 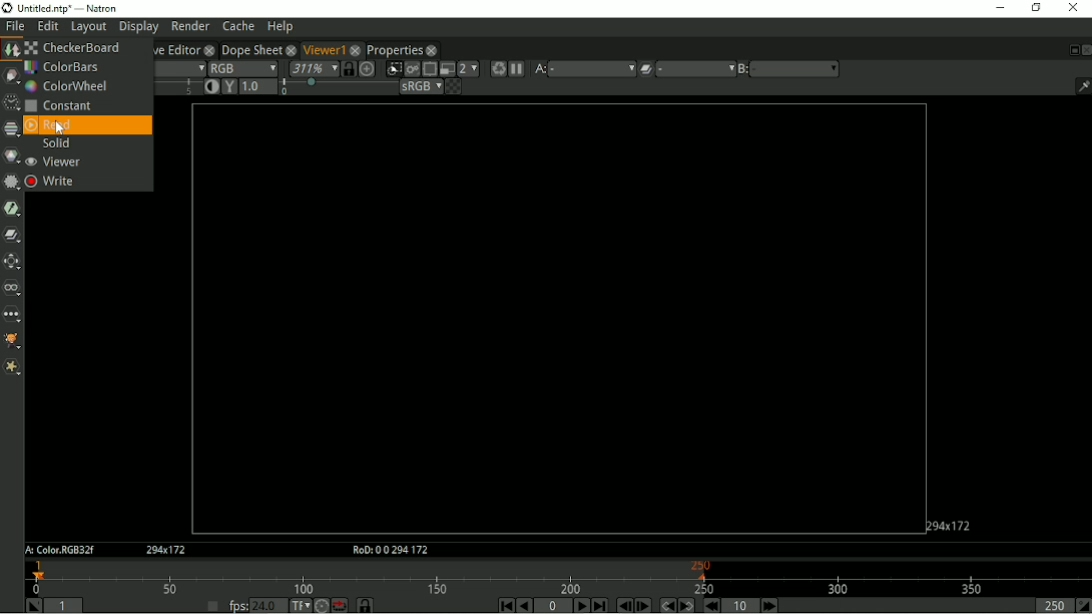 I want to click on Last frame, so click(x=600, y=605).